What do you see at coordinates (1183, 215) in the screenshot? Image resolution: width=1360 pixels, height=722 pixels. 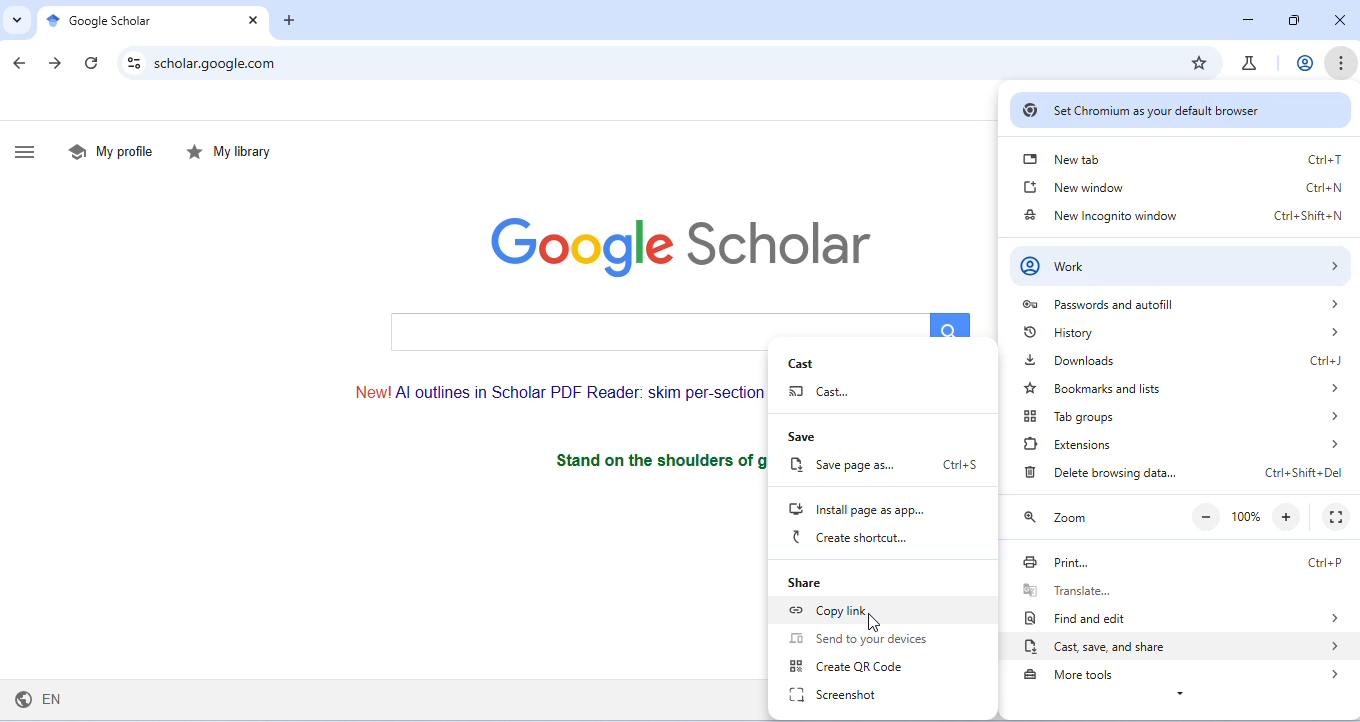 I see `new incognito window` at bounding box center [1183, 215].